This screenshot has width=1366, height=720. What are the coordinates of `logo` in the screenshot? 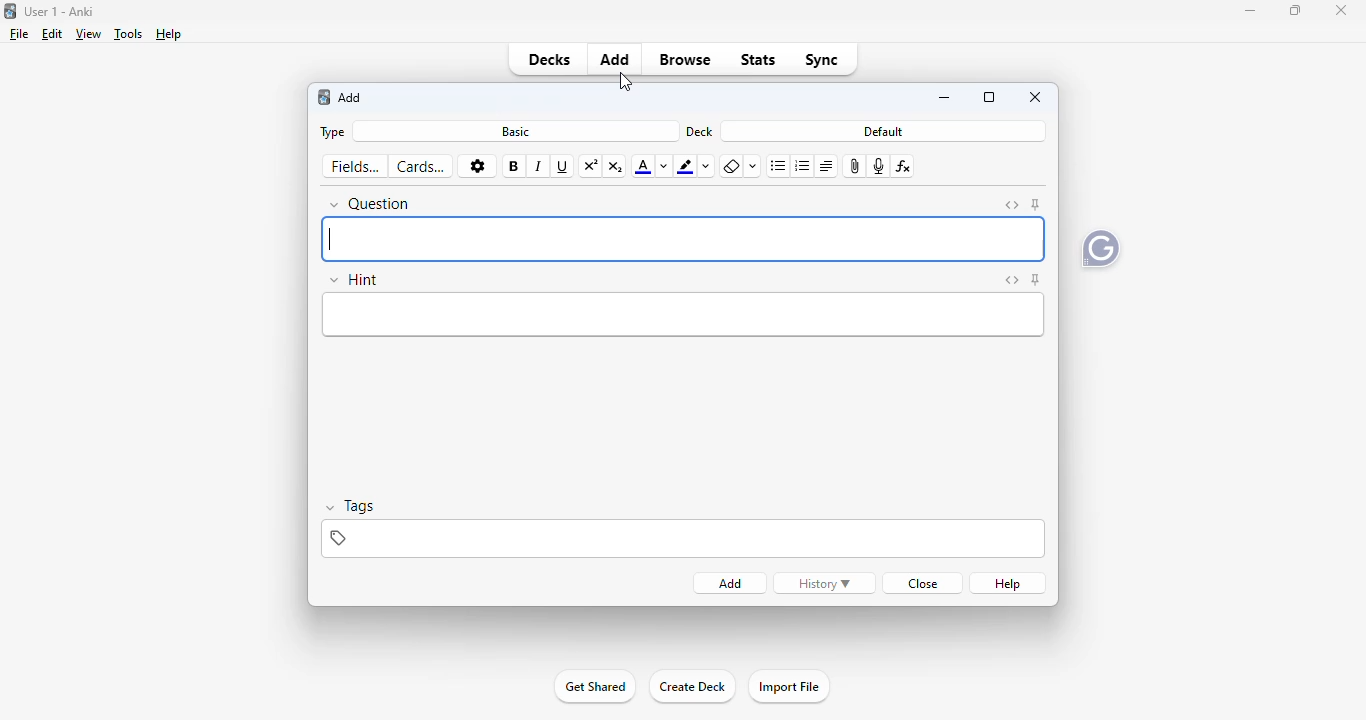 It's located at (323, 97).